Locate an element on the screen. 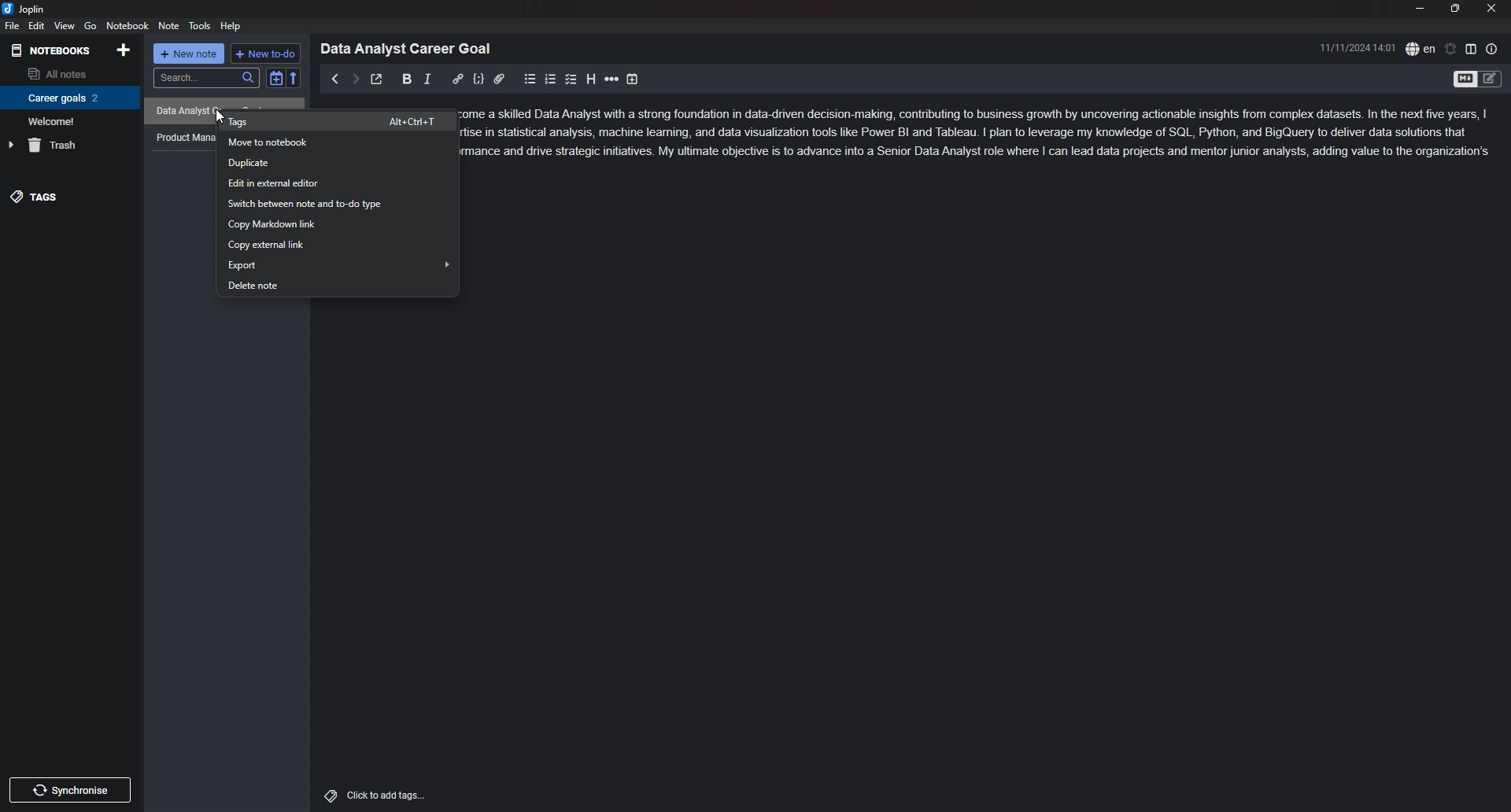 This screenshot has height=812, width=1511. edit in external editor is located at coordinates (338, 183).